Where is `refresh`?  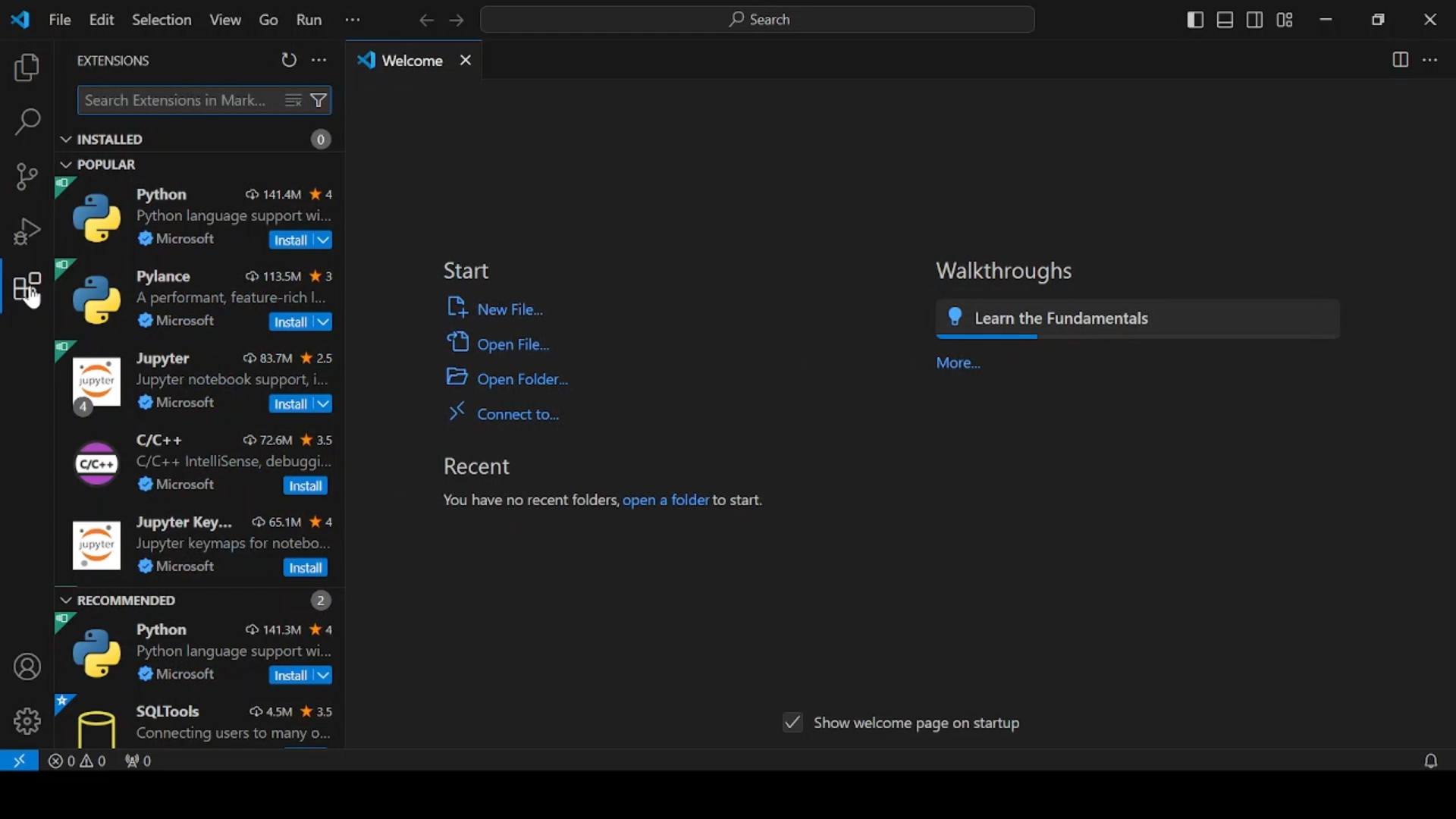
refresh is located at coordinates (290, 60).